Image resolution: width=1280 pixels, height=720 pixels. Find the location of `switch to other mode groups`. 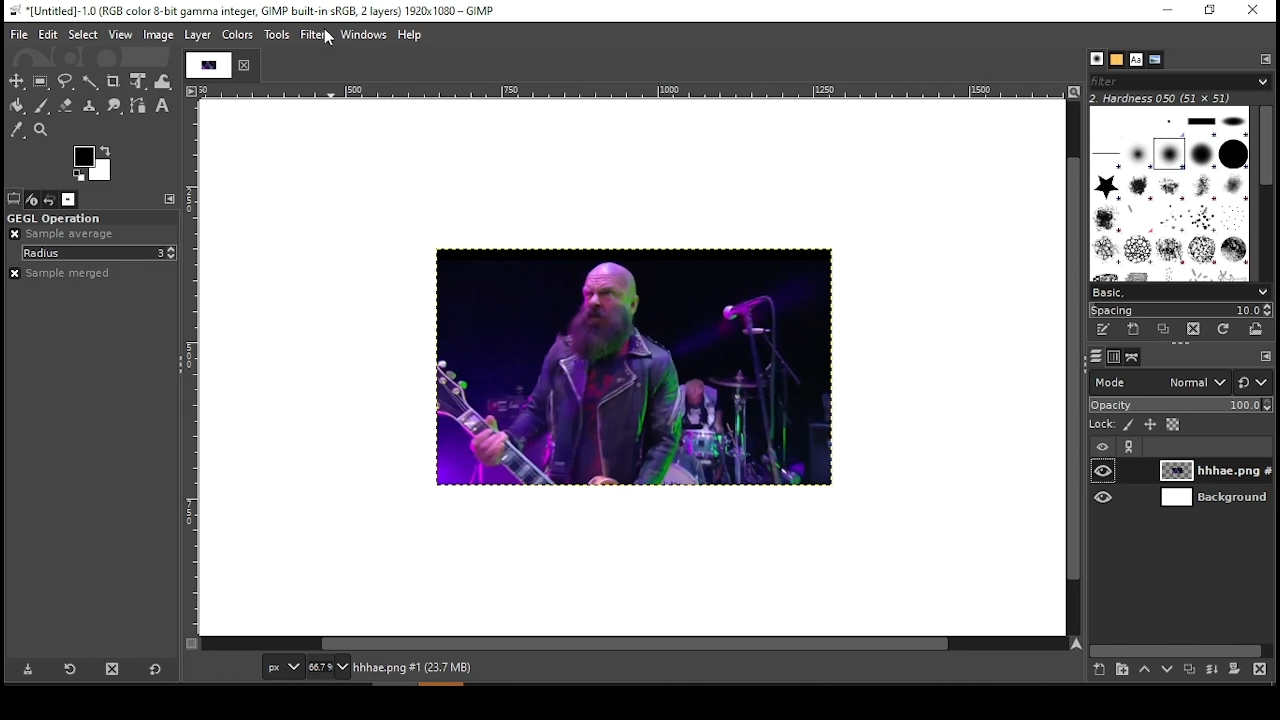

switch to other mode groups is located at coordinates (1254, 381).